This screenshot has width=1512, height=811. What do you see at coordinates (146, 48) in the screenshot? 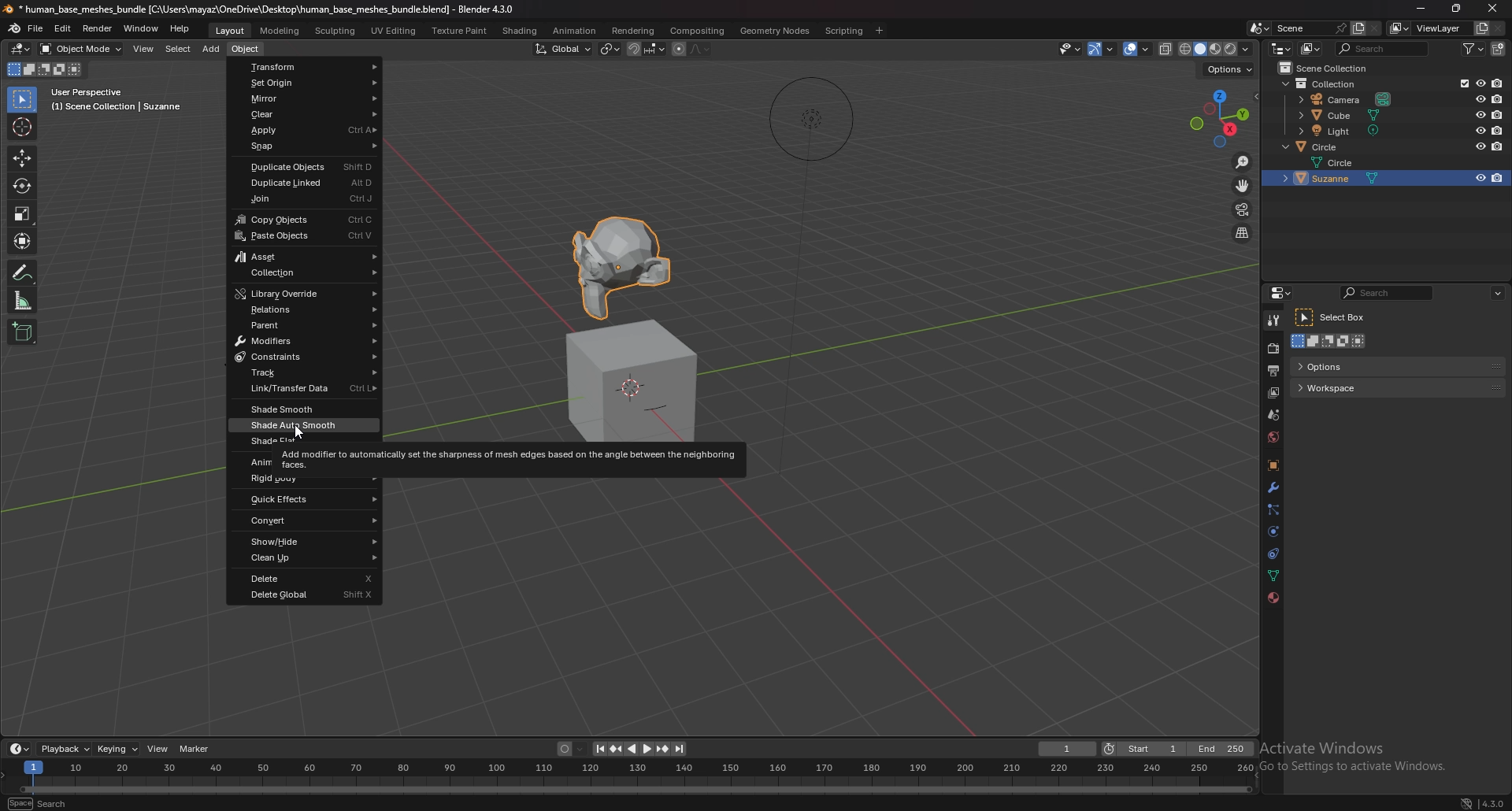
I see `view` at bounding box center [146, 48].